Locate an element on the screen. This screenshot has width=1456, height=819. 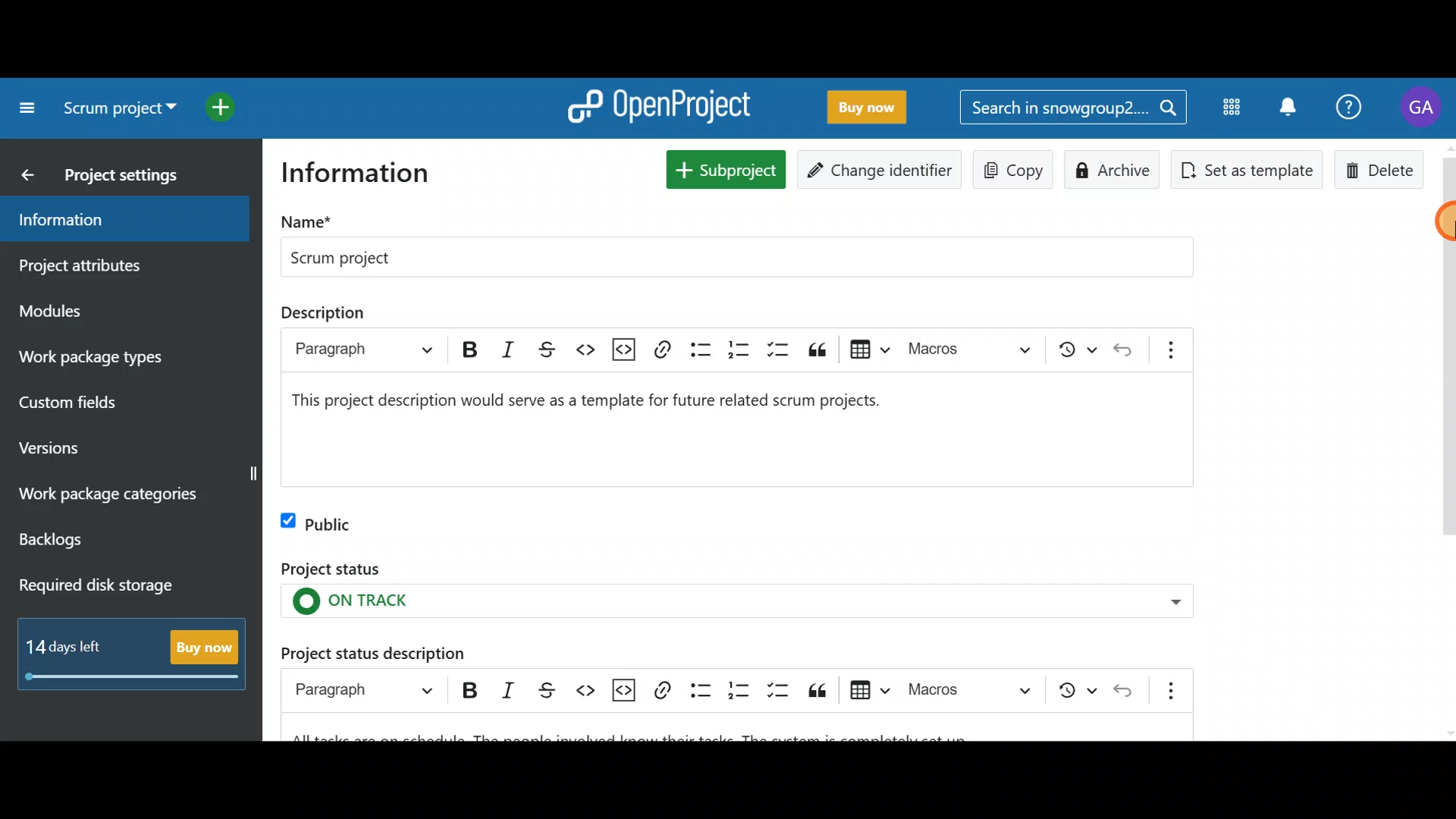
Italic is located at coordinates (513, 689).